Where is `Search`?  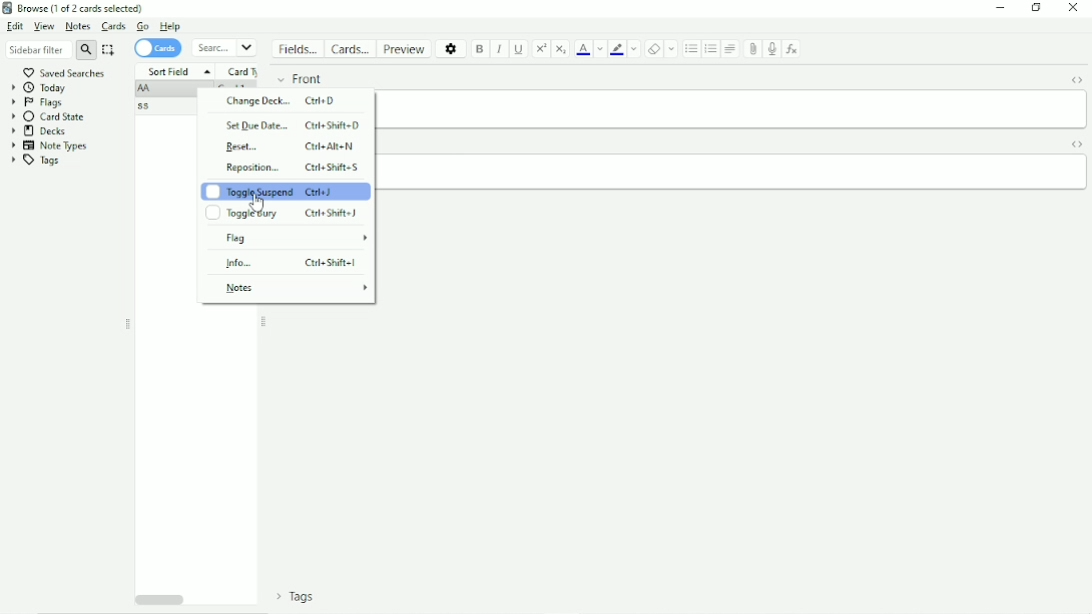
Search is located at coordinates (226, 47).